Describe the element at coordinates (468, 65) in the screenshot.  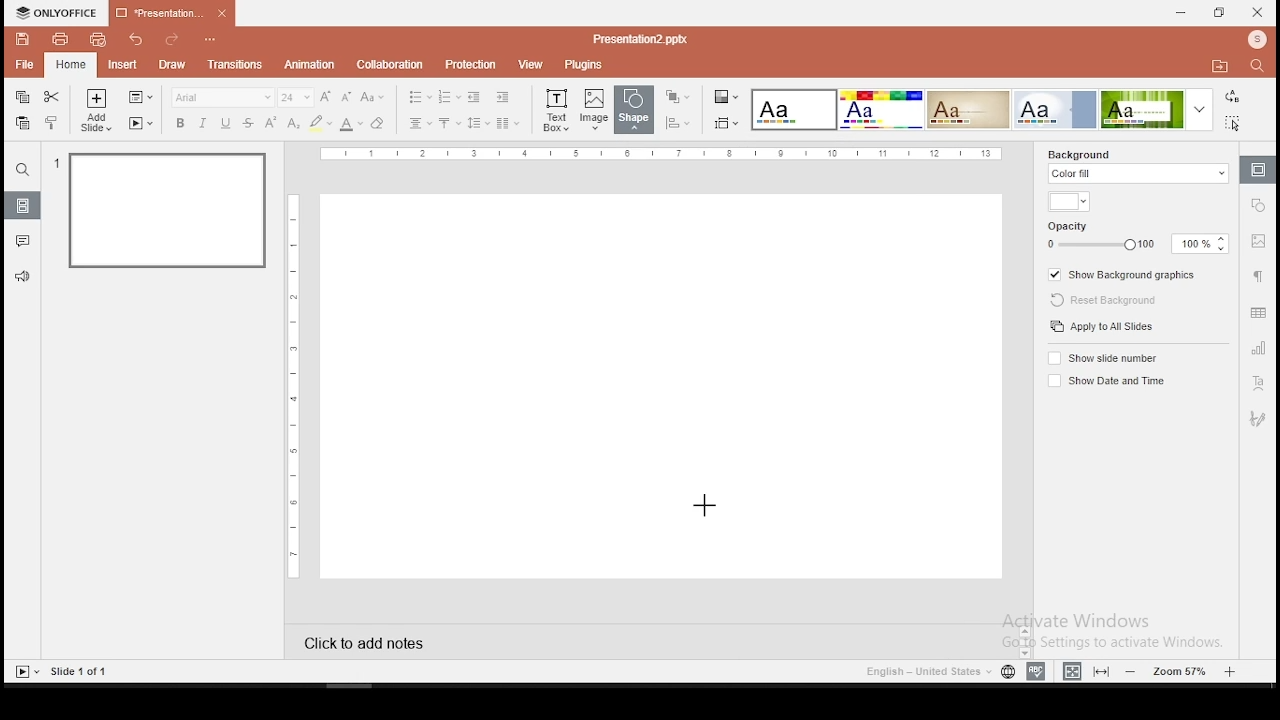
I see `protection` at that location.